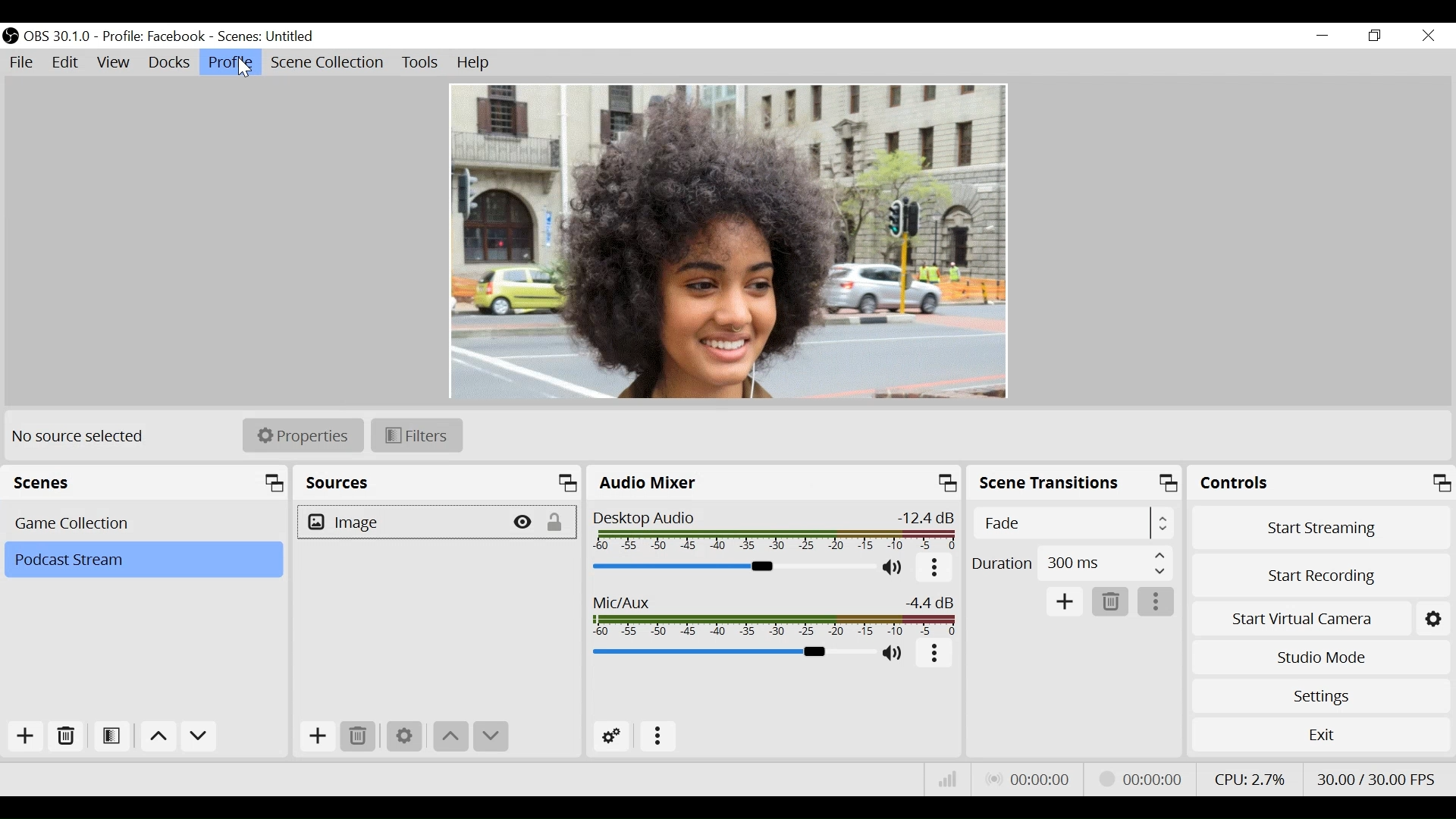  What do you see at coordinates (169, 64) in the screenshot?
I see `Docks` at bounding box center [169, 64].